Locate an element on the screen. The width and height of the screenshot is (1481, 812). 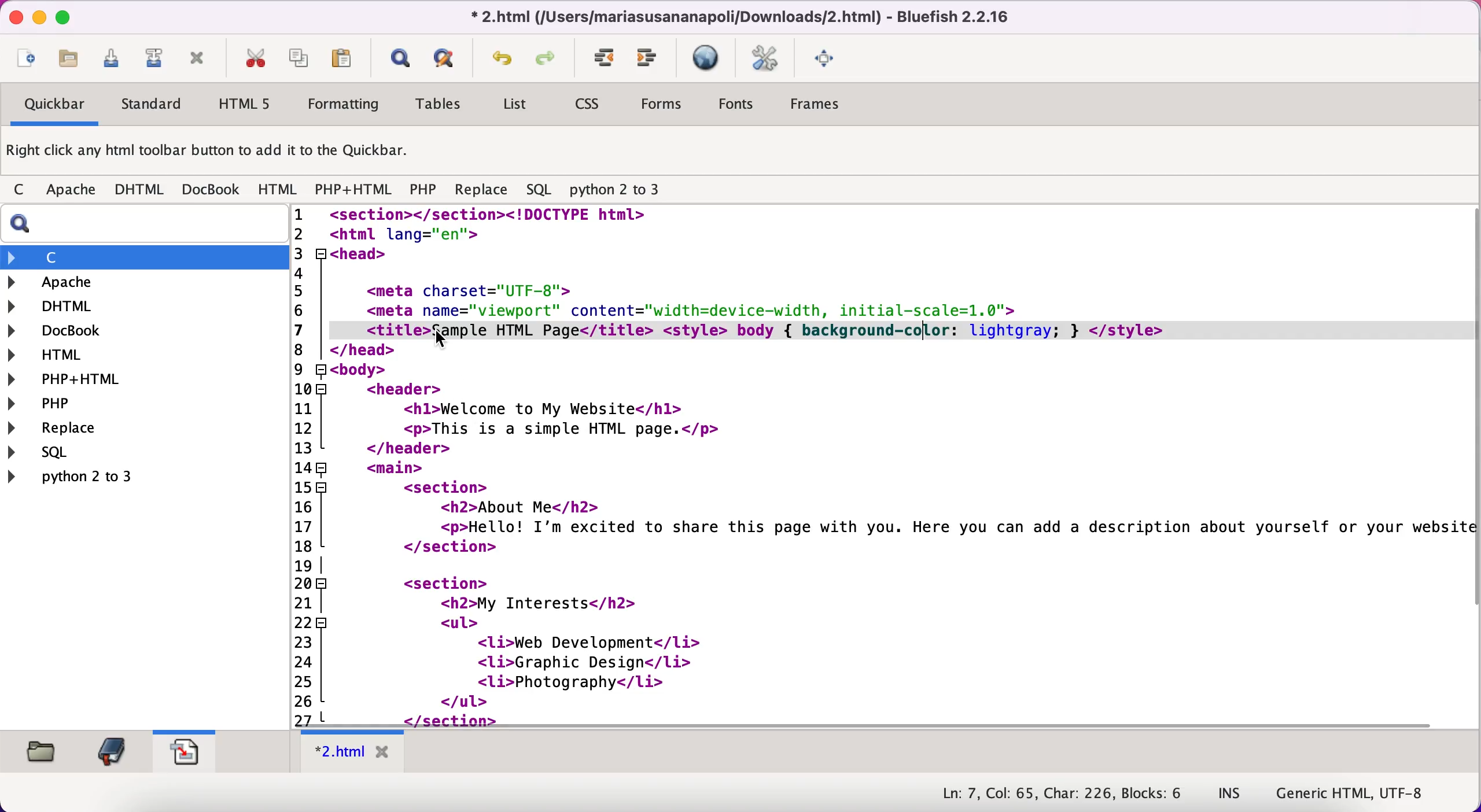
snippets is located at coordinates (184, 749).